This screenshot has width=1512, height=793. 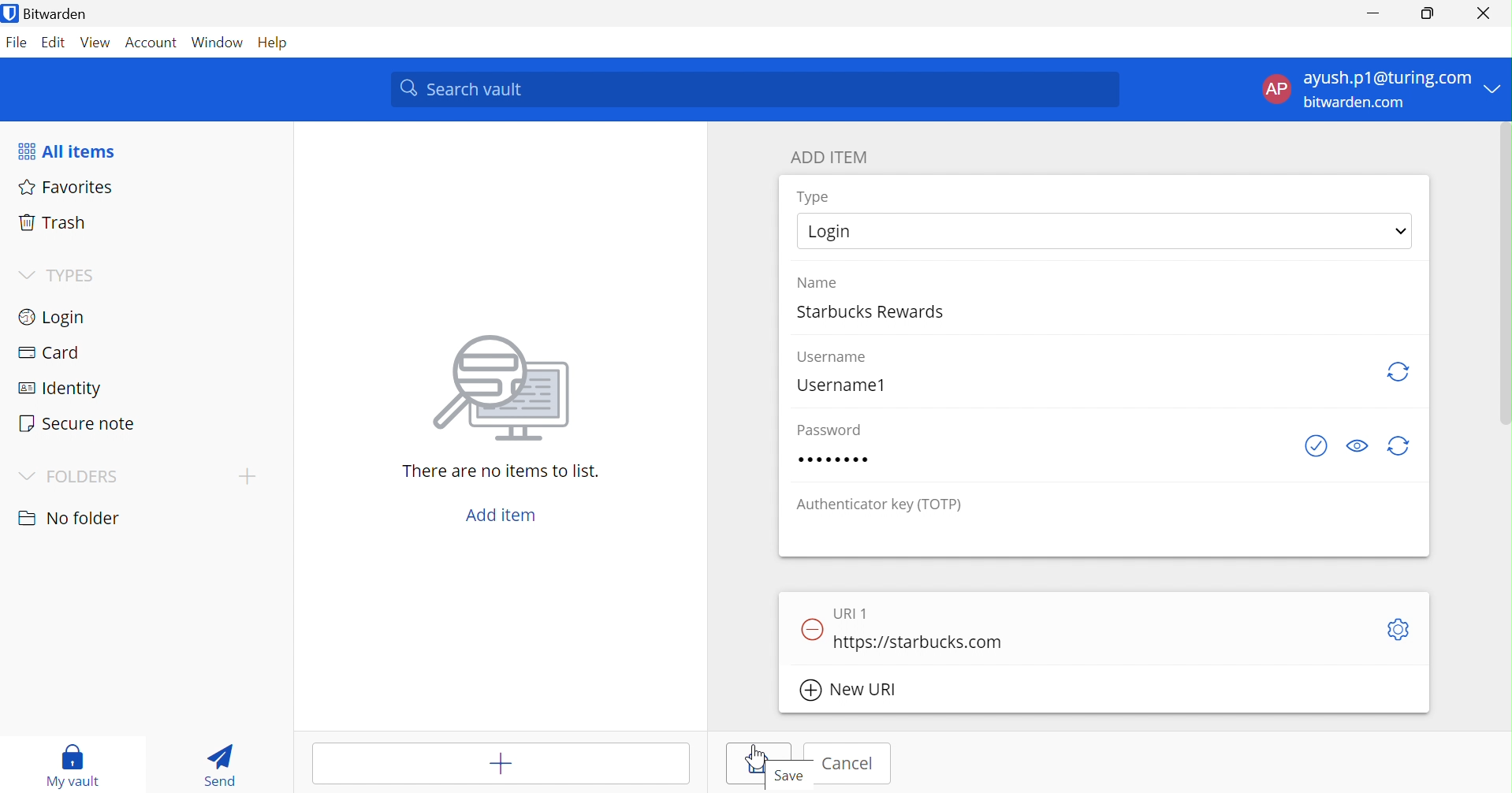 What do you see at coordinates (65, 152) in the screenshot?
I see `All items` at bounding box center [65, 152].